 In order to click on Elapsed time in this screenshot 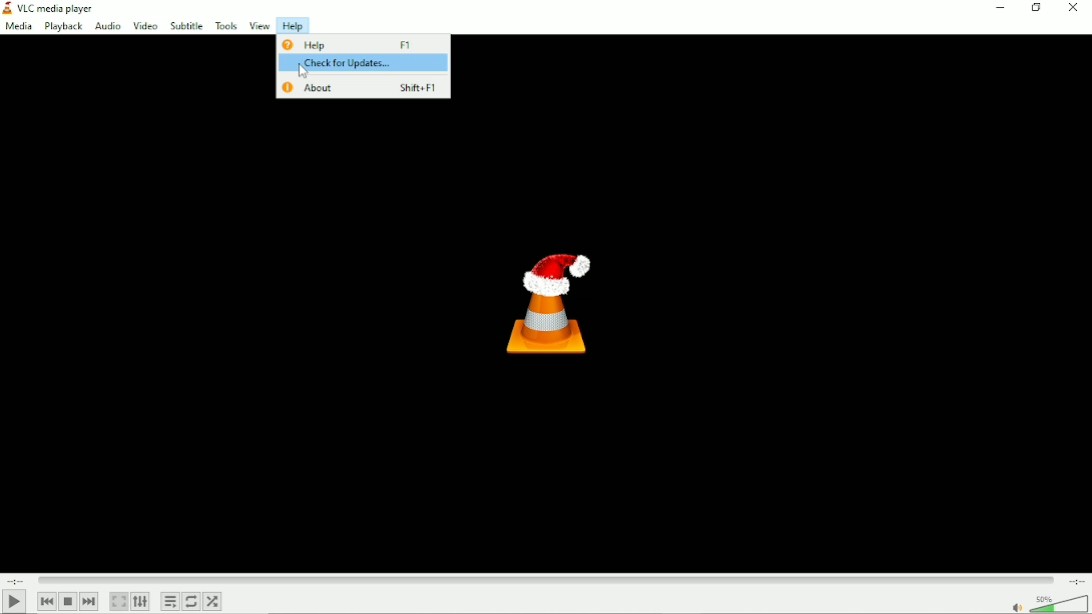, I will do `click(16, 579)`.